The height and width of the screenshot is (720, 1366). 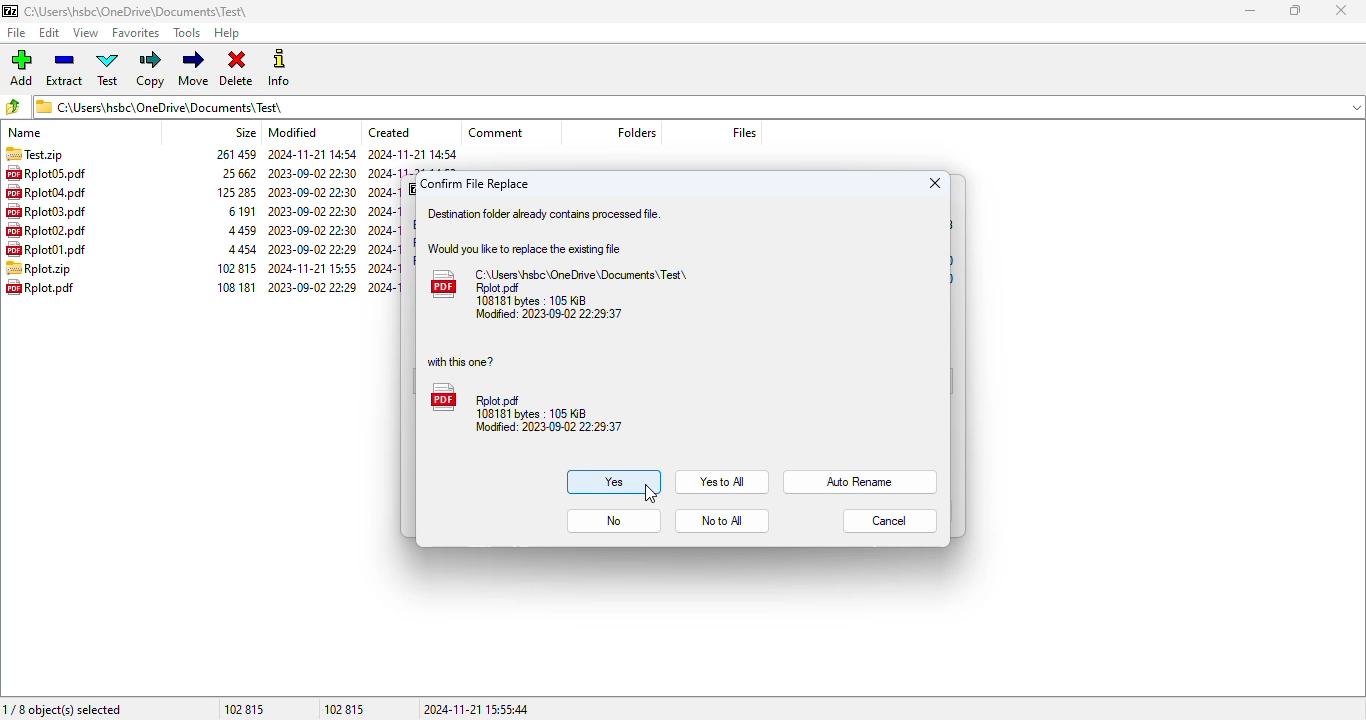 What do you see at coordinates (246, 133) in the screenshot?
I see `size` at bounding box center [246, 133].